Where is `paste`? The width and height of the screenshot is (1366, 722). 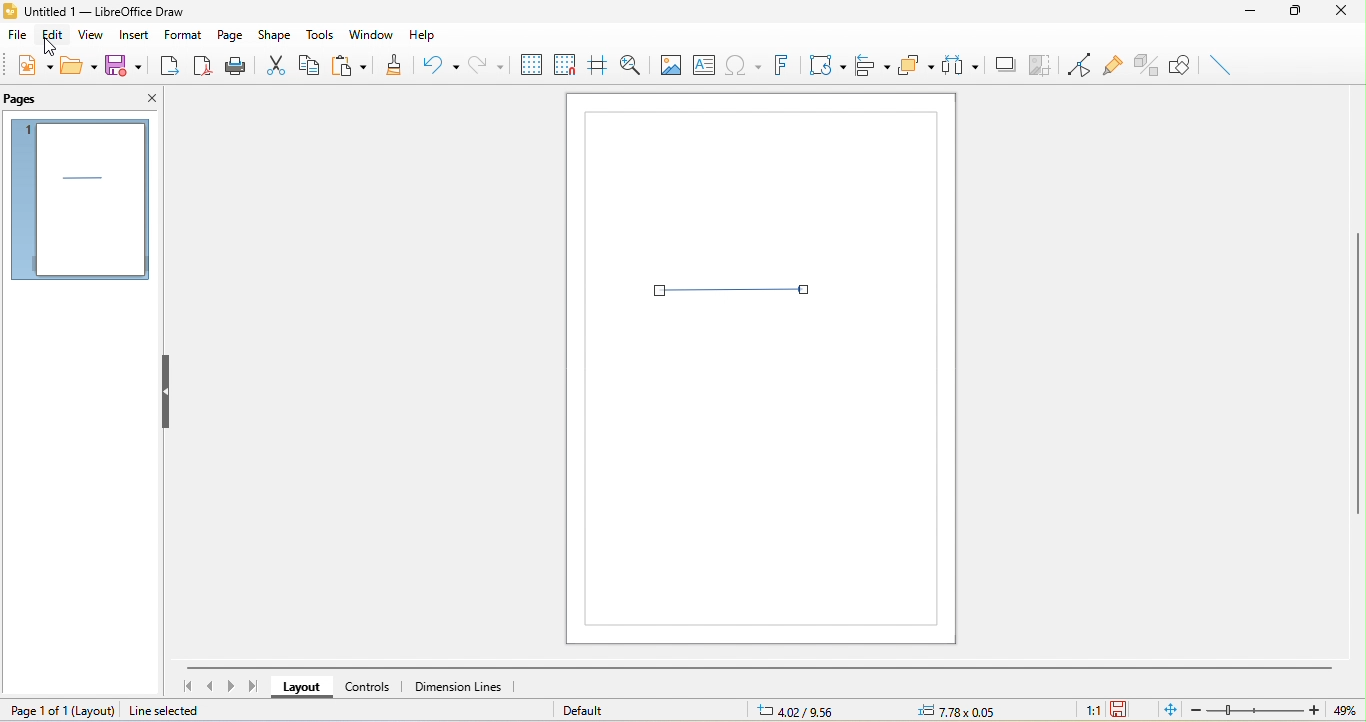 paste is located at coordinates (355, 64).